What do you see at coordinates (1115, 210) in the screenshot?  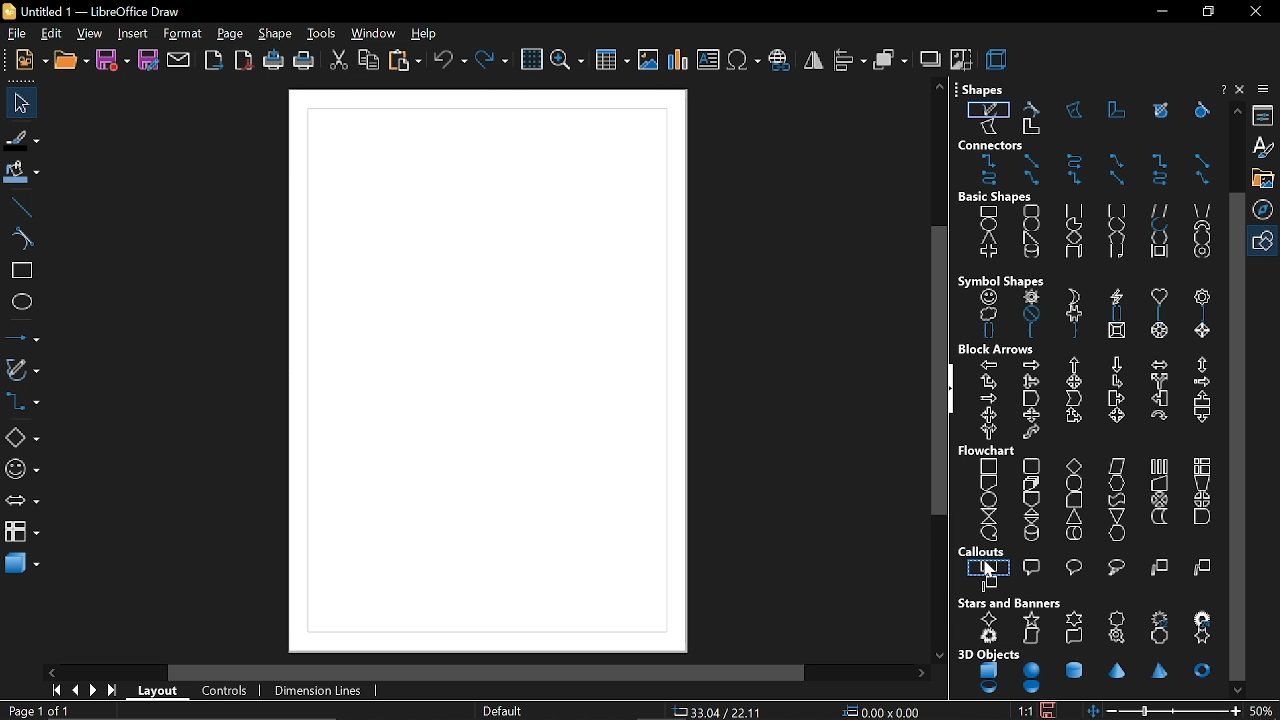 I see `rounded square` at bounding box center [1115, 210].